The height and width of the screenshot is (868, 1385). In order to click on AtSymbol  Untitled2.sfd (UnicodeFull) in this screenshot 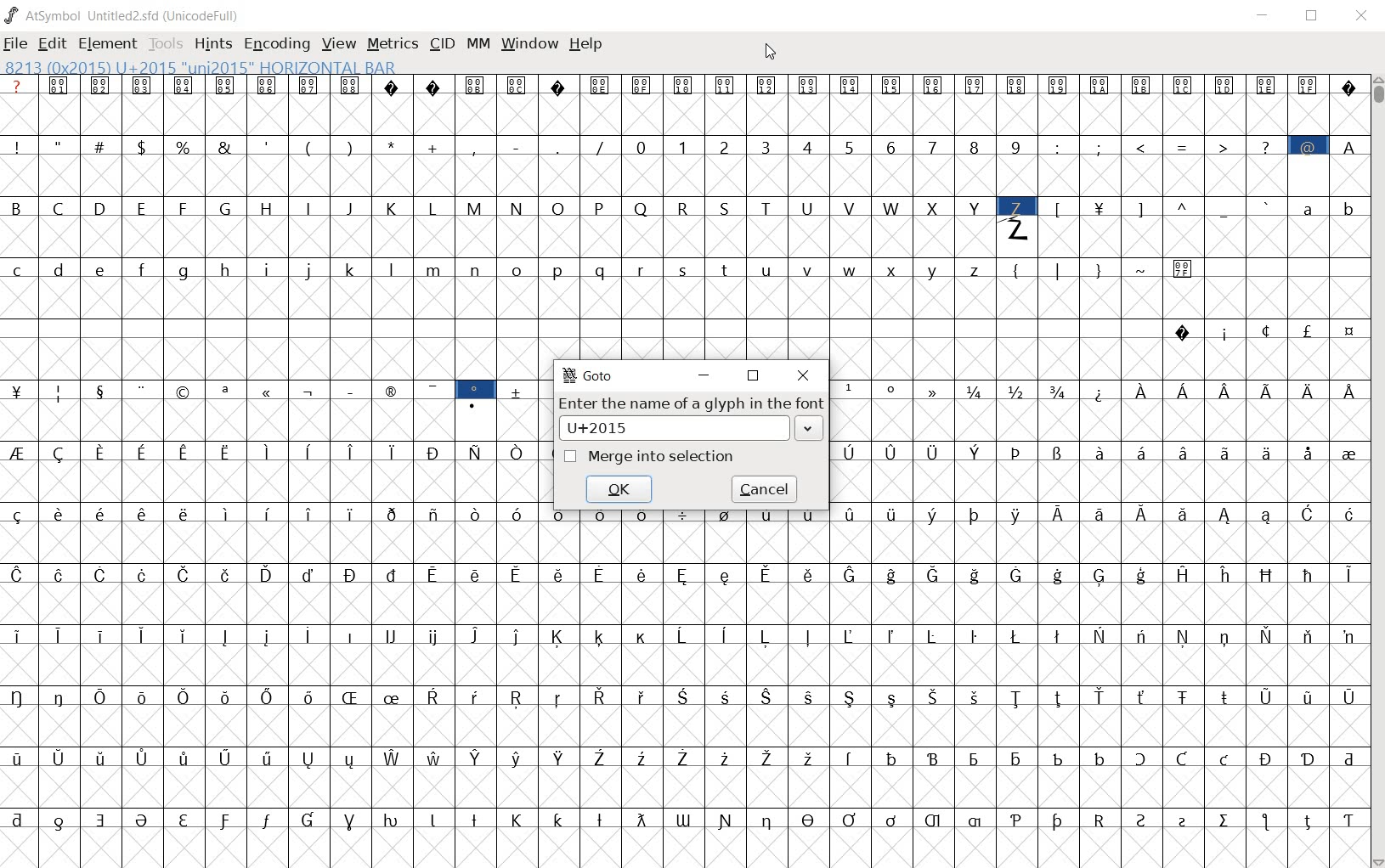, I will do `click(123, 15)`.